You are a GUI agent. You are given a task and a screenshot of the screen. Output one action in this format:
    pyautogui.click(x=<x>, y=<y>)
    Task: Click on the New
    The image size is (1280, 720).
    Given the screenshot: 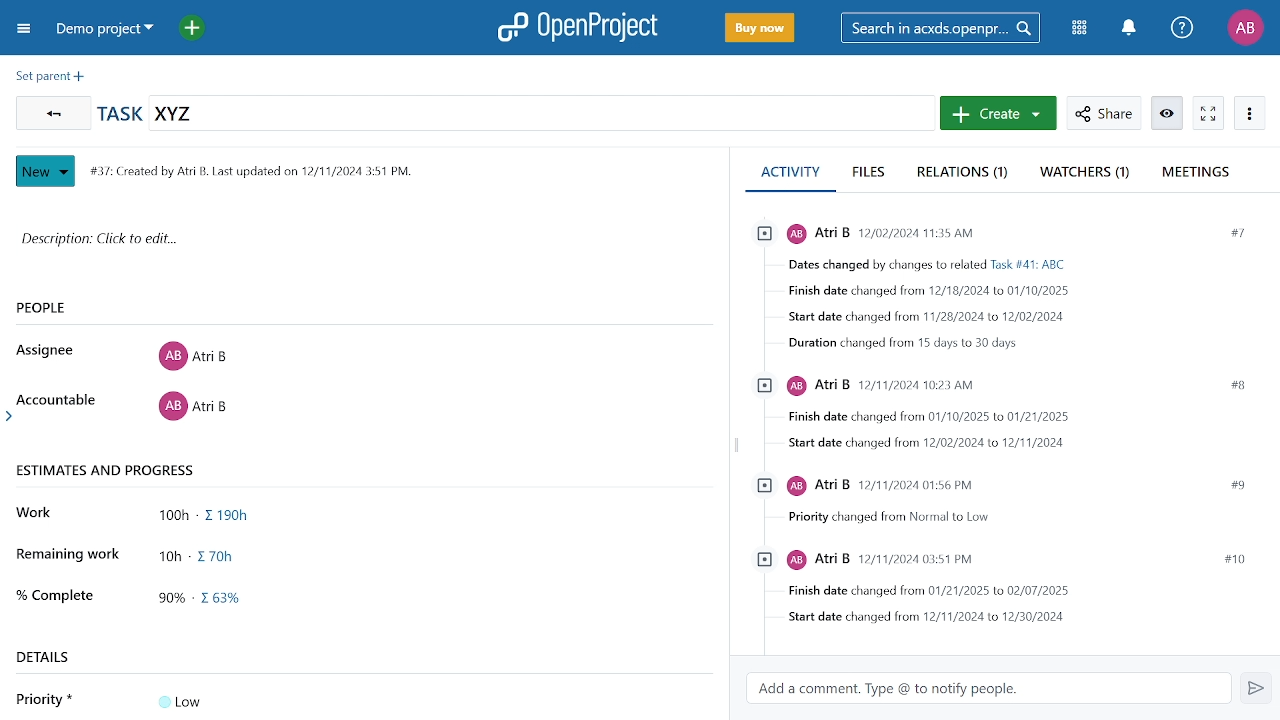 What is the action you would take?
    pyautogui.click(x=49, y=170)
    